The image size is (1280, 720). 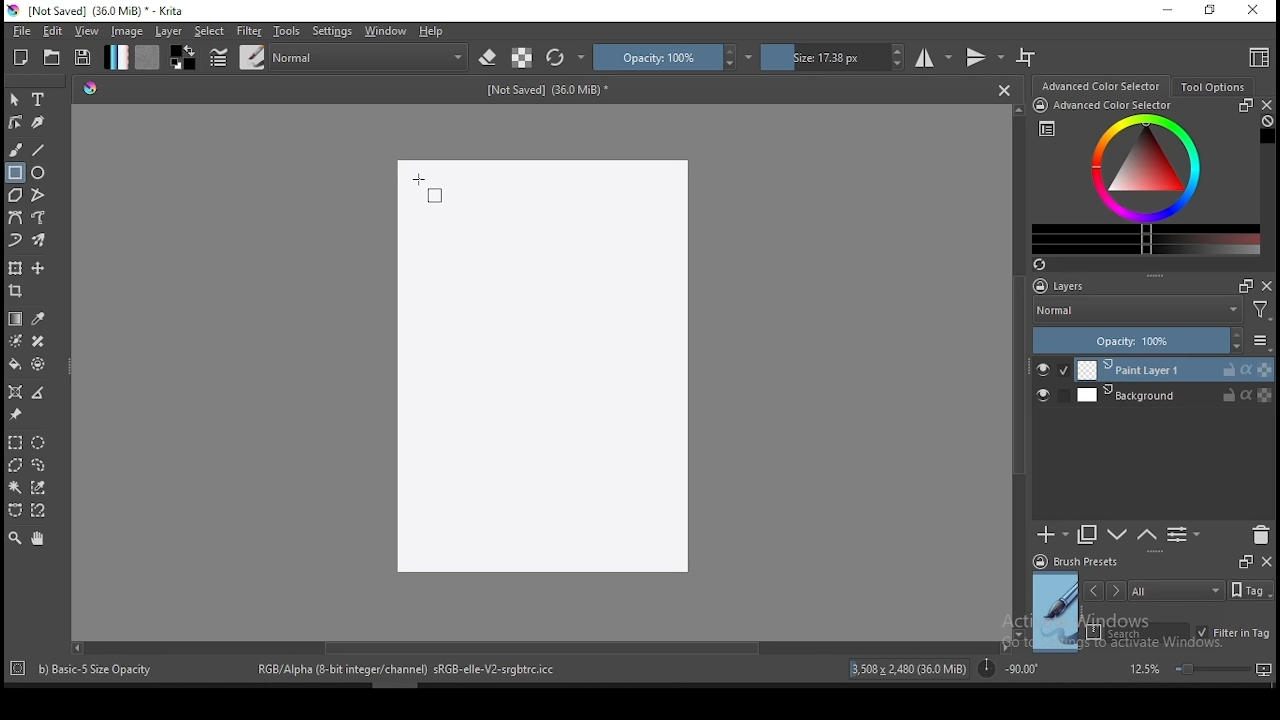 I want to click on advance color selector, so click(x=1103, y=85).